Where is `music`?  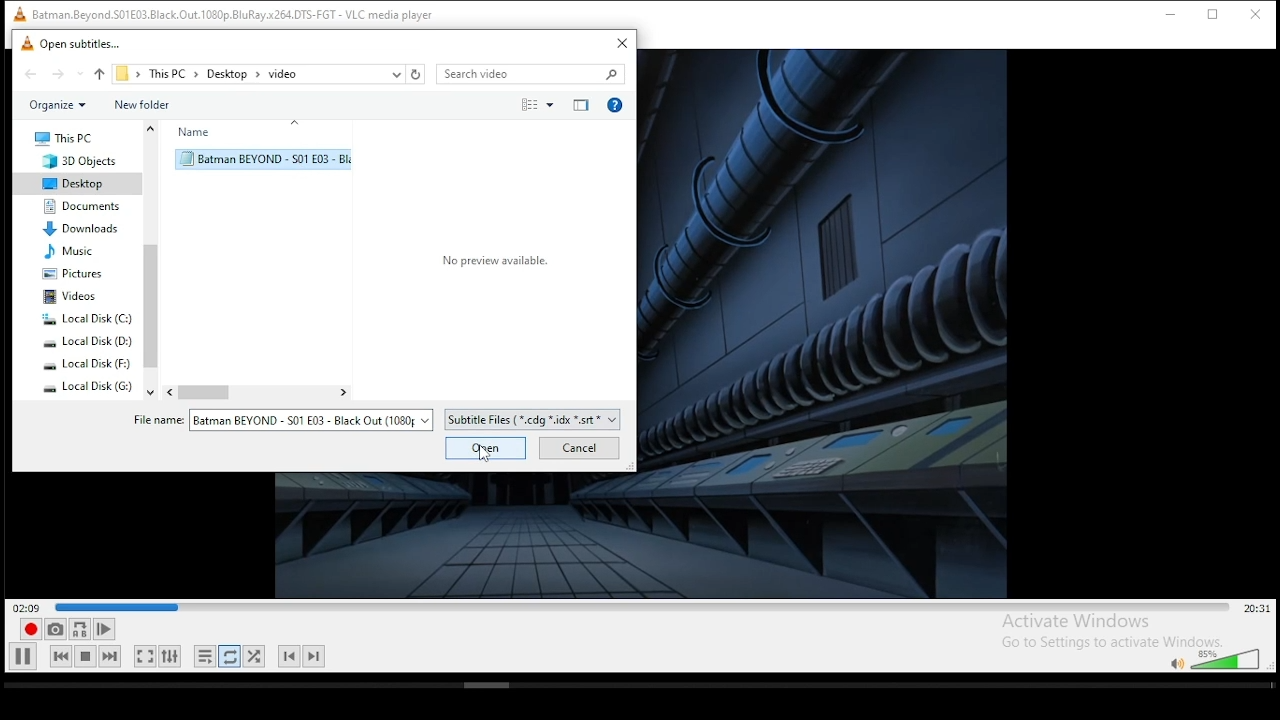
music is located at coordinates (79, 251).